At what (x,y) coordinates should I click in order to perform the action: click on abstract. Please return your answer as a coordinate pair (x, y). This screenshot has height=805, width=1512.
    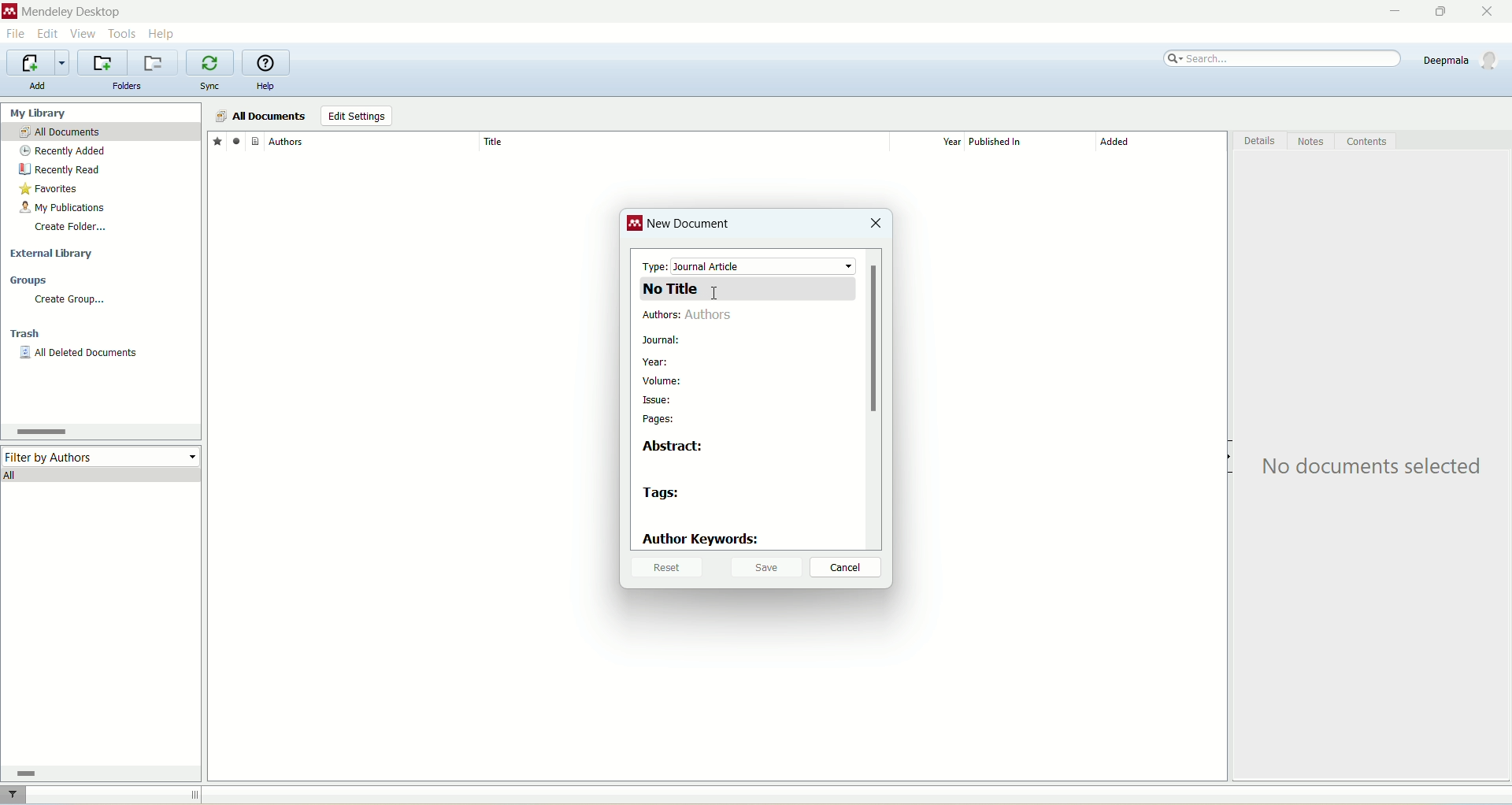
    Looking at the image, I should click on (678, 446).